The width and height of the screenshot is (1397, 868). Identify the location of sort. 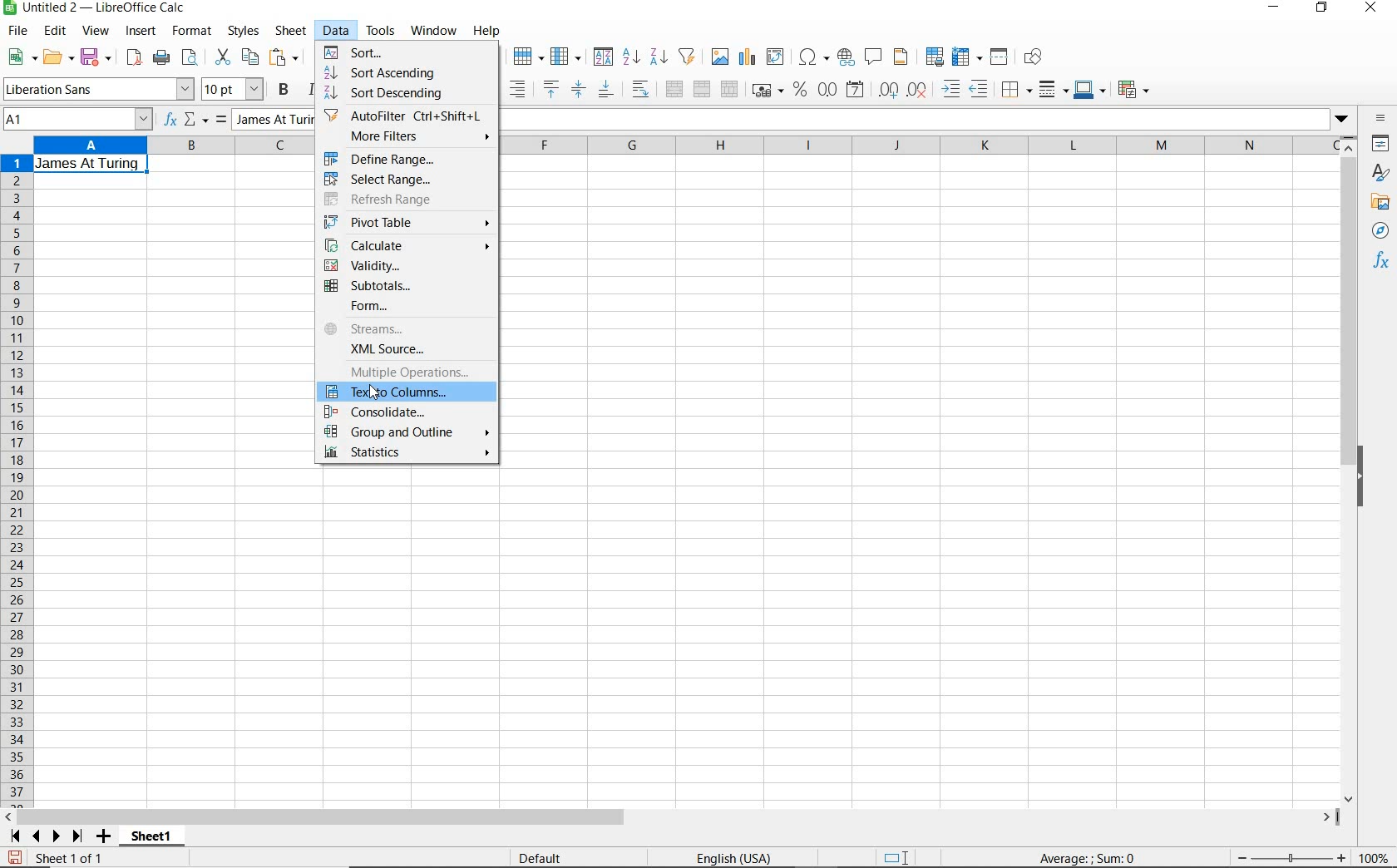
(601, 58).